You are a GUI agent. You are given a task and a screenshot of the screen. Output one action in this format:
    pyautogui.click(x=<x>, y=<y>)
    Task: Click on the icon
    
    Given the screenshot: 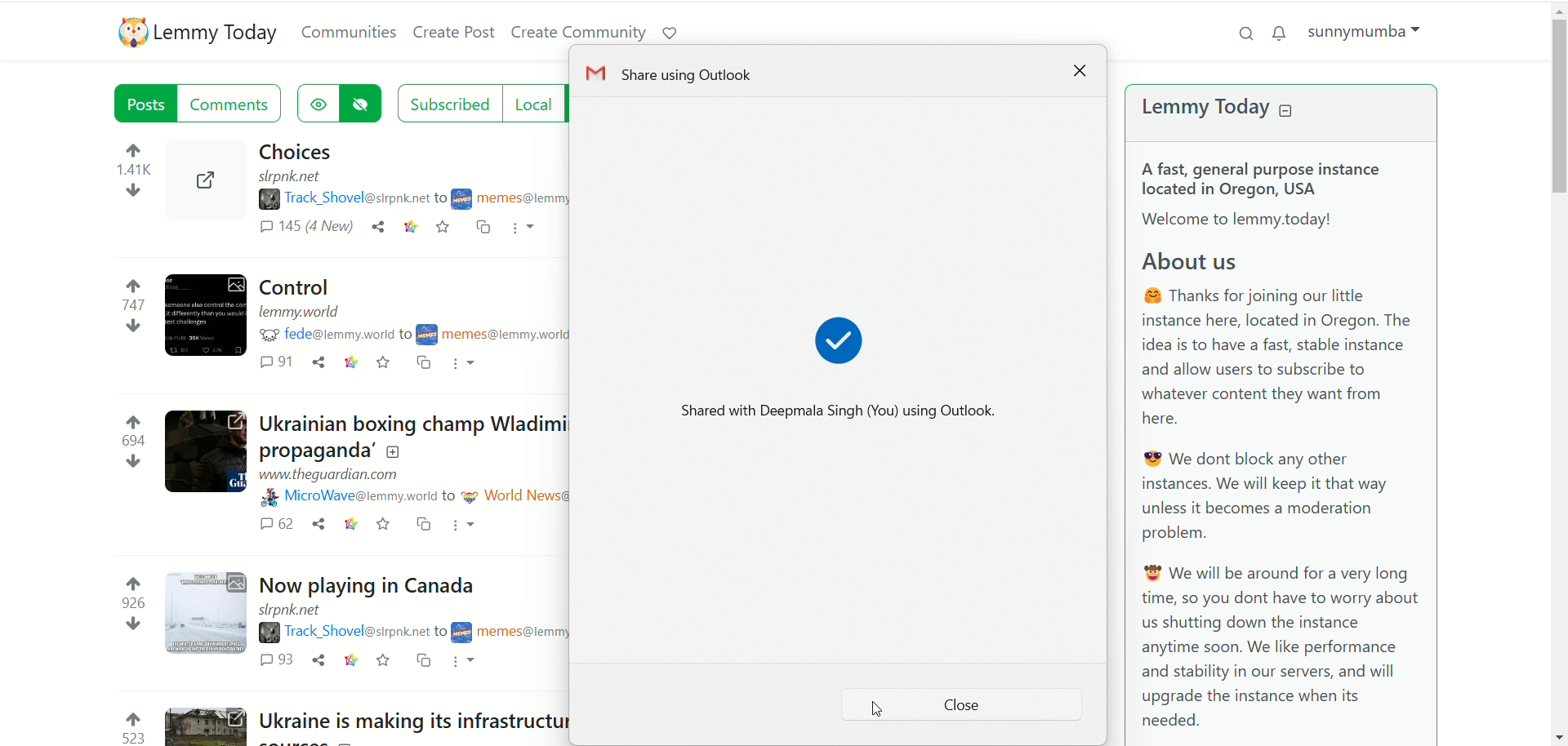 What is the action you would take?
    pyautogui.click(x=595, y=73)
    